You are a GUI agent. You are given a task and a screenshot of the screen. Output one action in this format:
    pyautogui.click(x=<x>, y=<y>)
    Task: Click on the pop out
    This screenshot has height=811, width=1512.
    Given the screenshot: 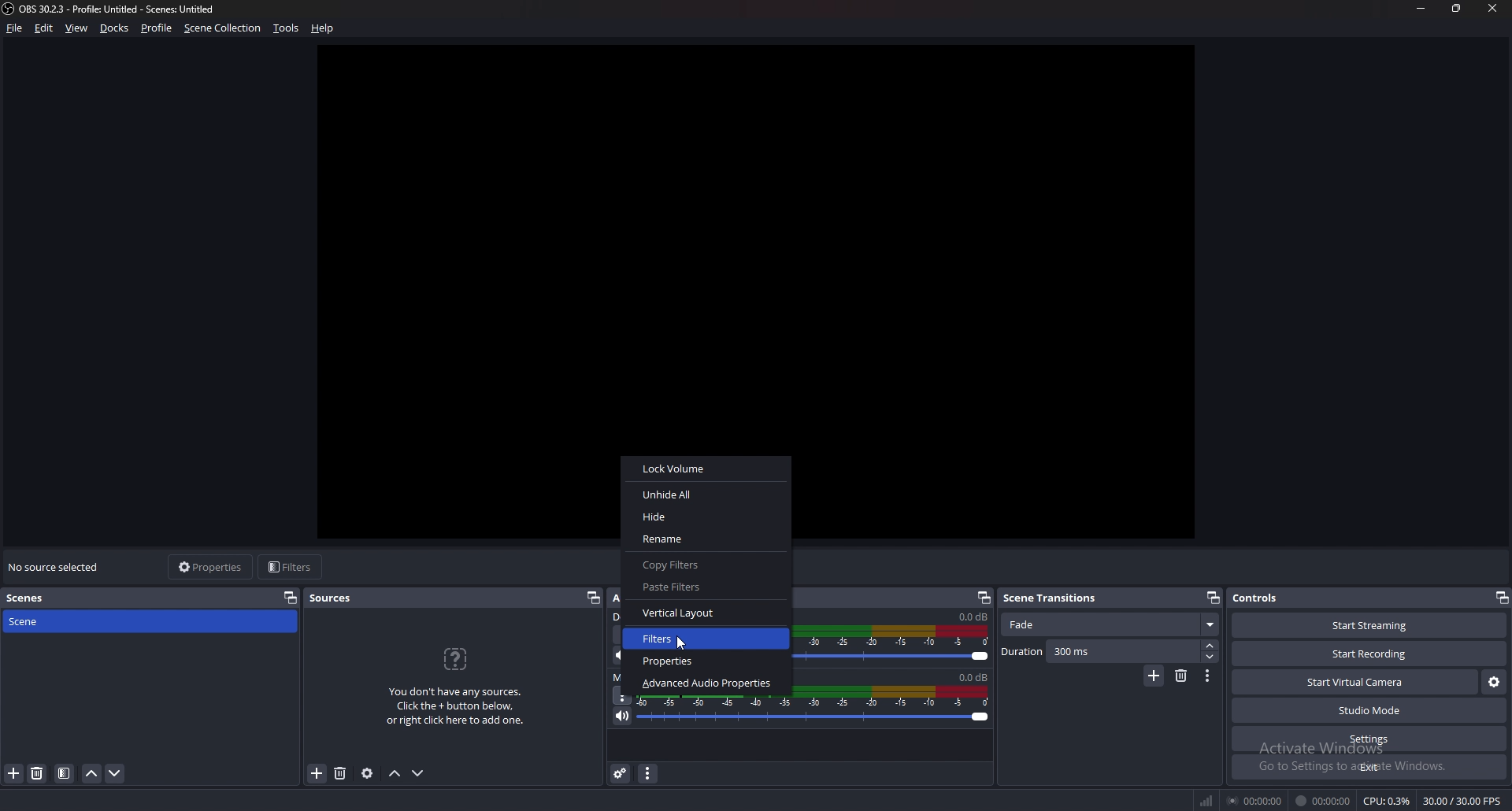 What is the action you would take?
    pyautogui.click(x=1503, y=598)
    